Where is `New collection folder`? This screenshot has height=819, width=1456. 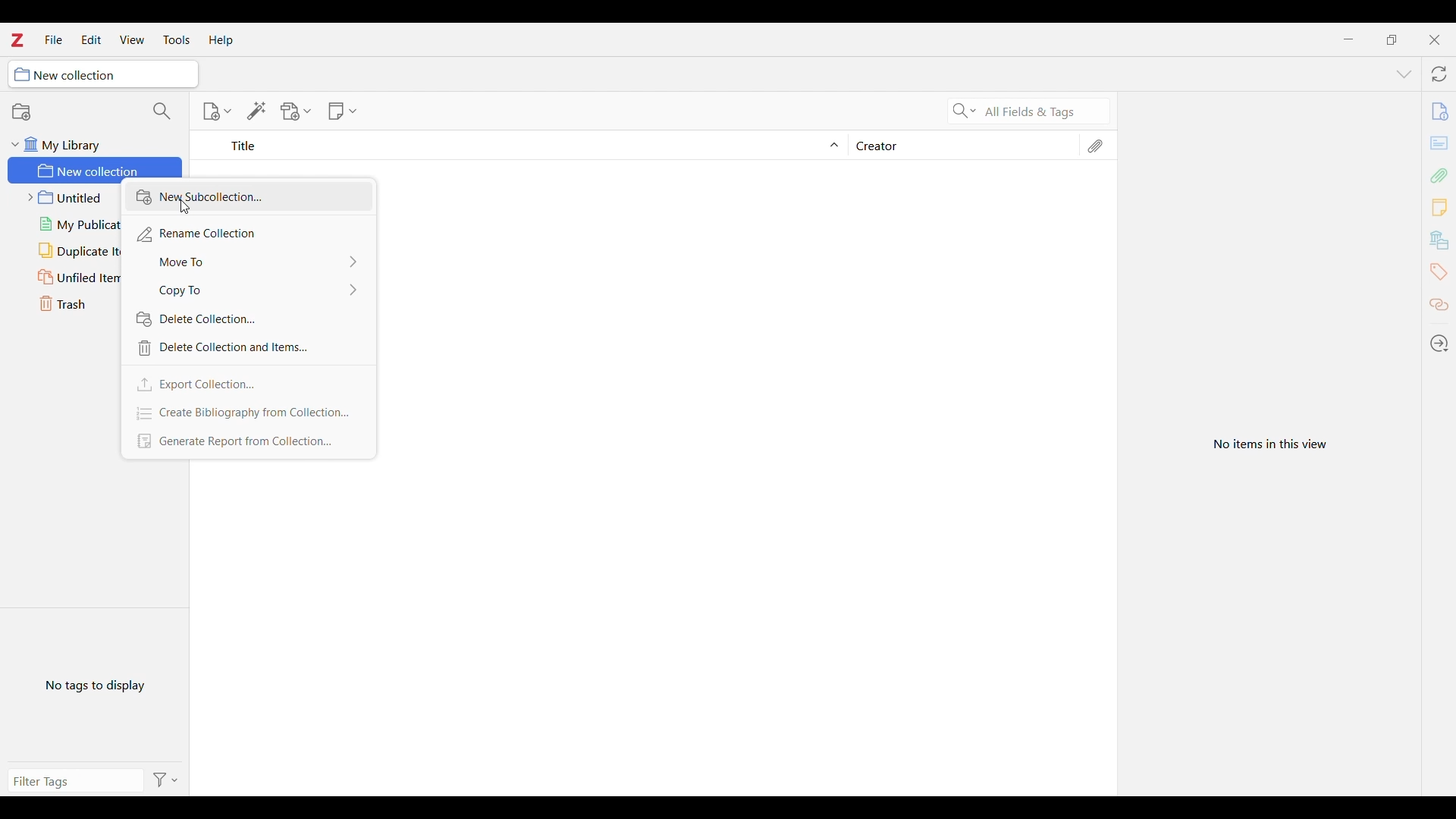 New collection folder is located at coordinates (95, 171).